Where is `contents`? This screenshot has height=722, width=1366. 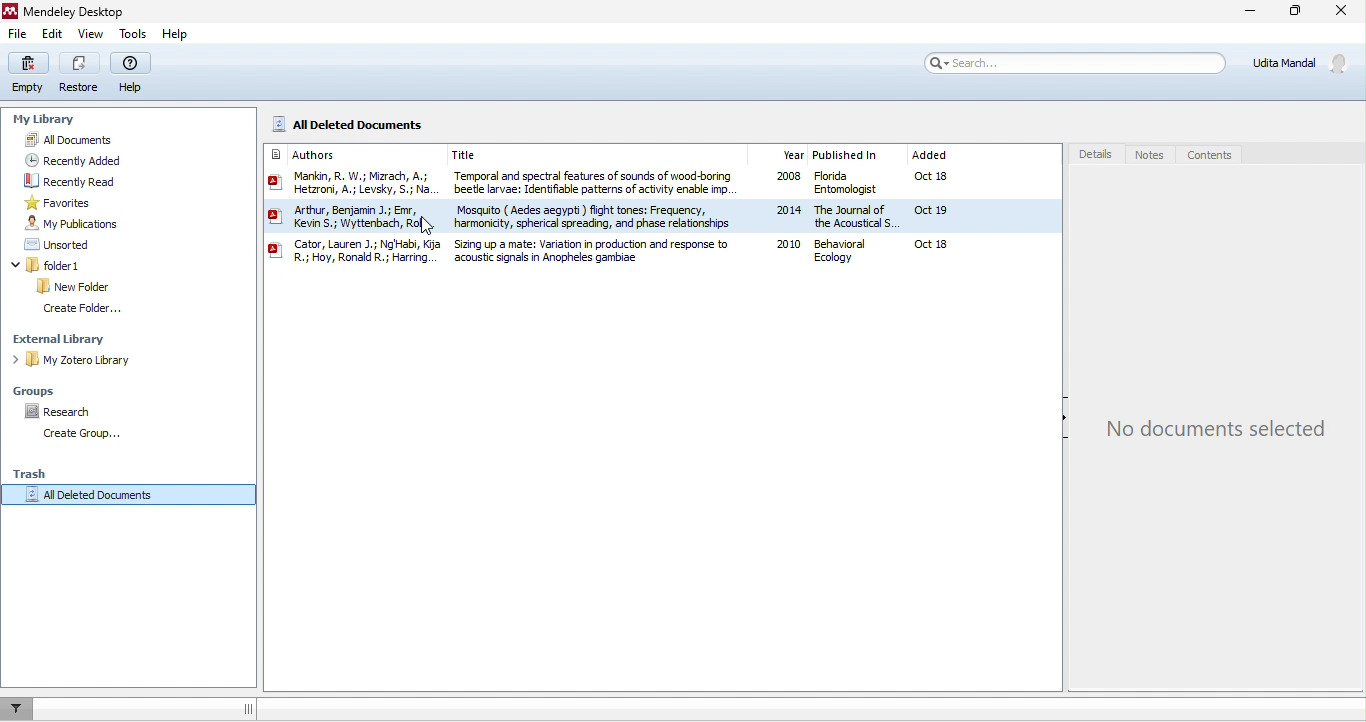 contents is located at coordinates (1223, 158).